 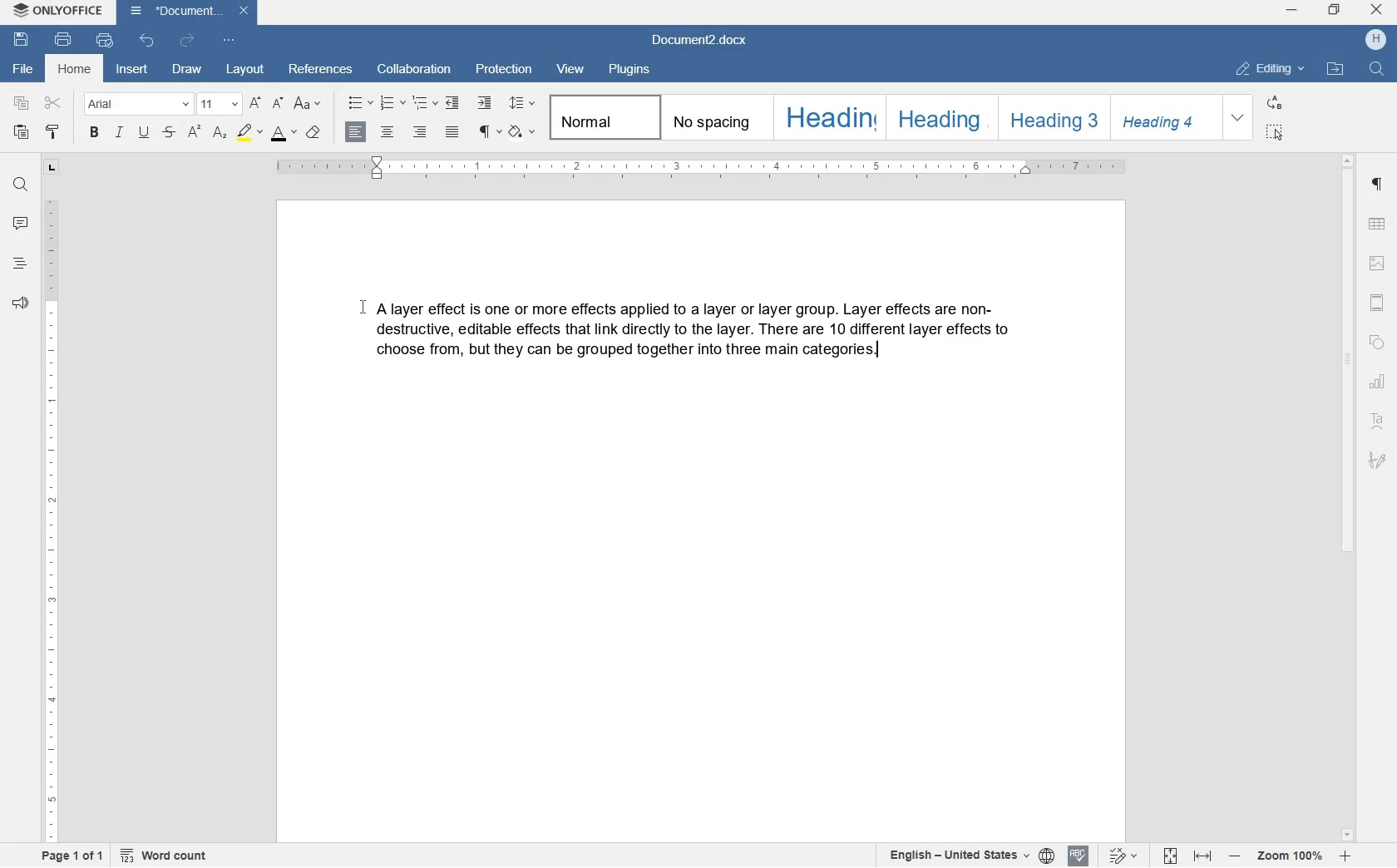 I want to click on normal, so click(x=601, y=117).